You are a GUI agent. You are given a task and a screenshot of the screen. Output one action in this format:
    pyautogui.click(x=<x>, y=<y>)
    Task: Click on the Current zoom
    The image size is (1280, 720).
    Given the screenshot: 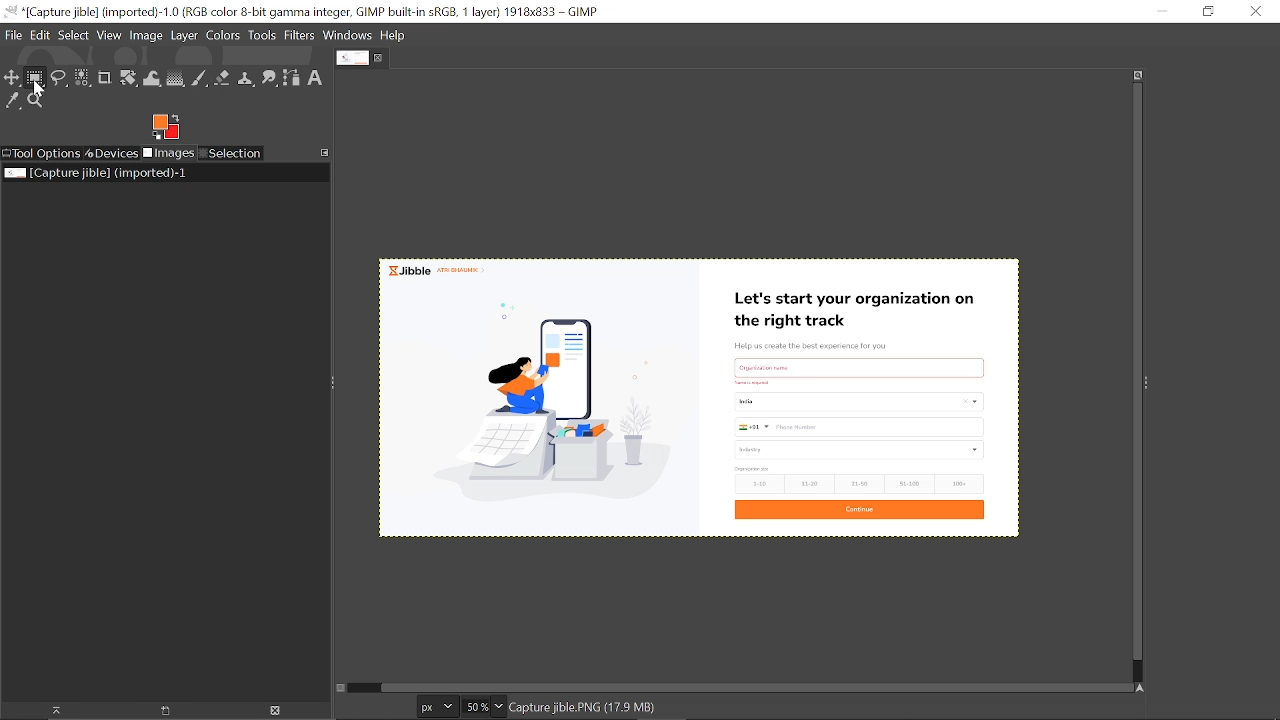 What is the action you would take?
    pyautogui.click(x=474, y=708)
    